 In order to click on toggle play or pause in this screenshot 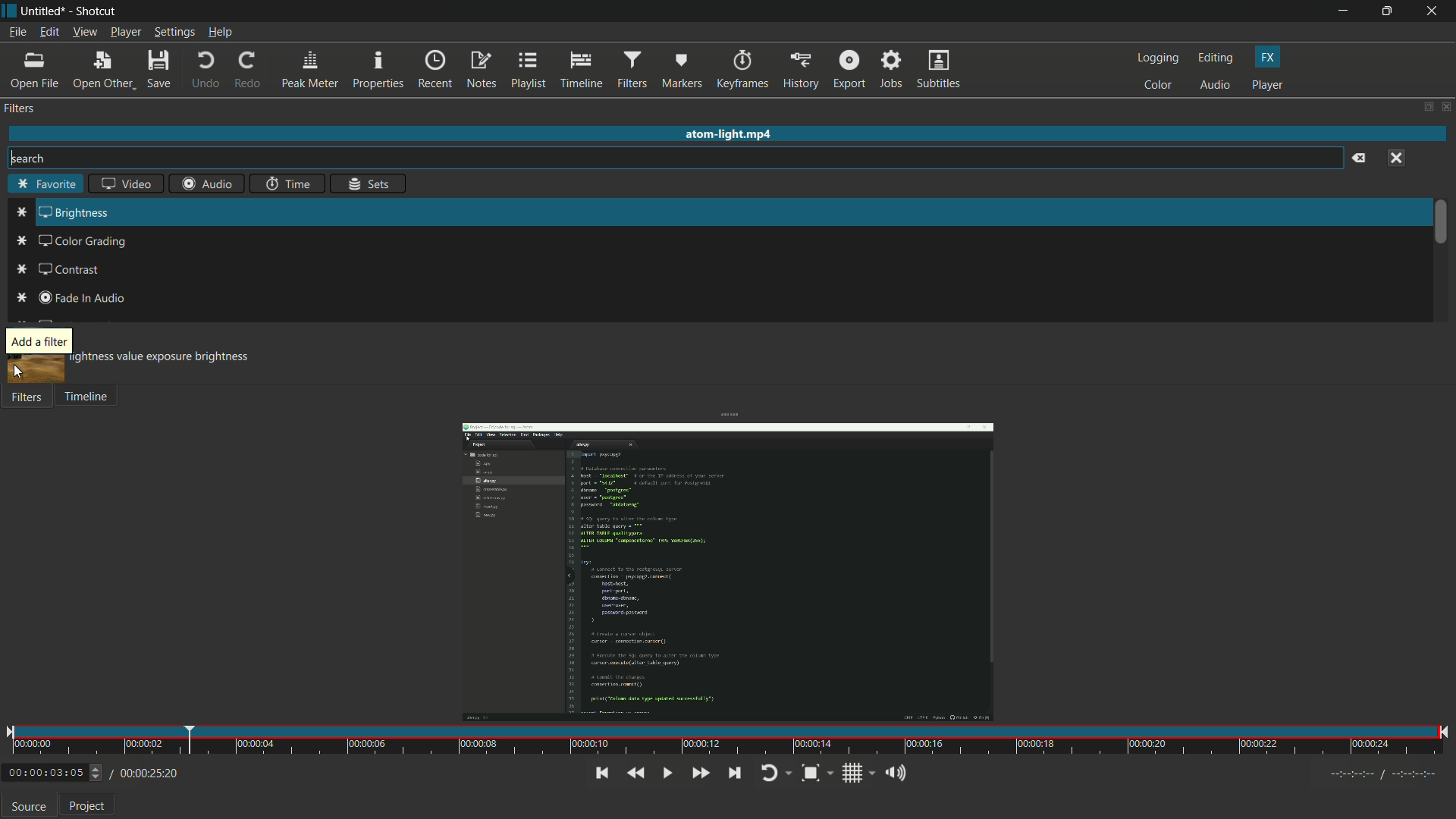, I will do `click(667, 773)`.